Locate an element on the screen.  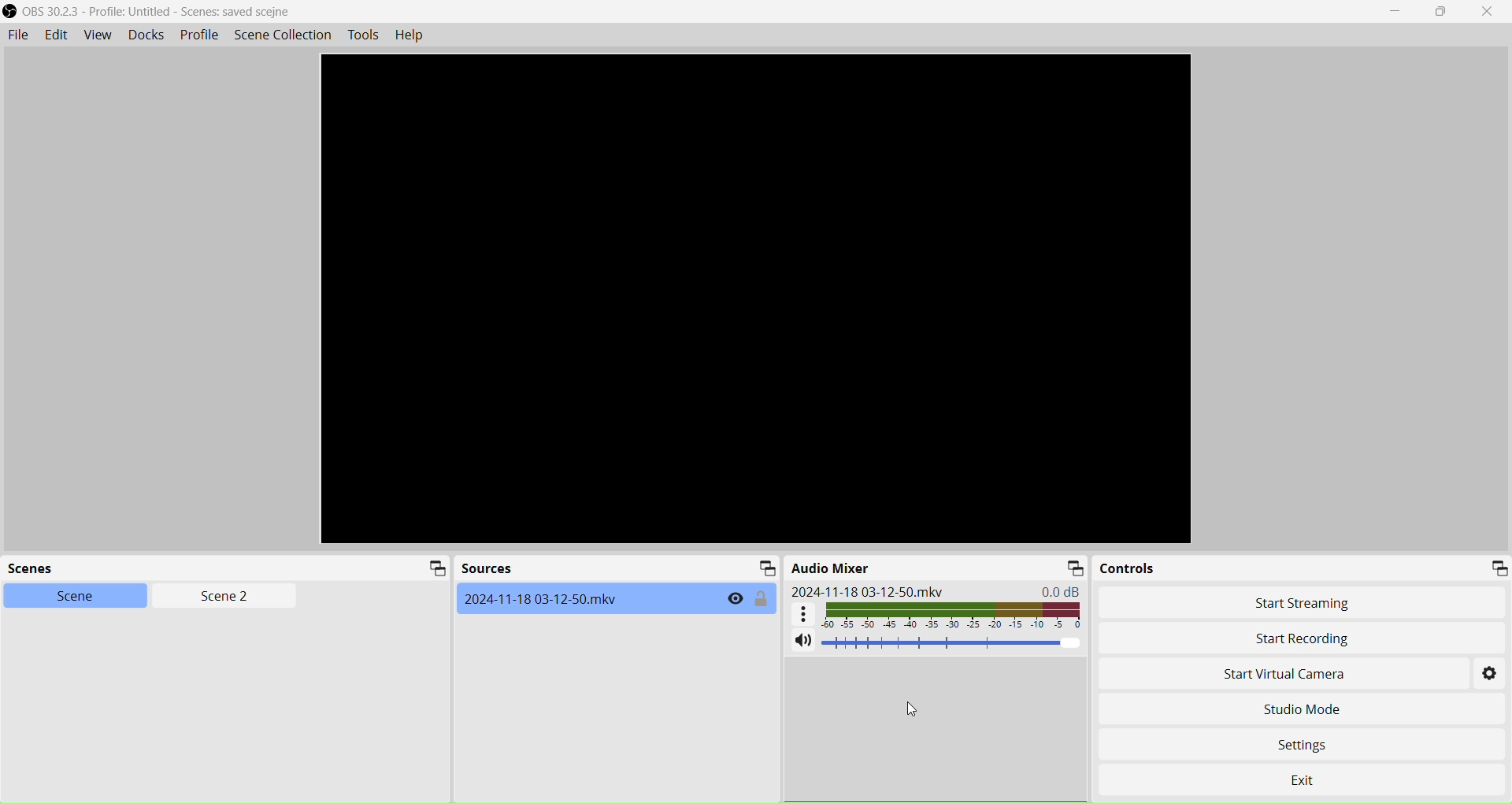
Scene 2 is located at coordinates (217, 597).